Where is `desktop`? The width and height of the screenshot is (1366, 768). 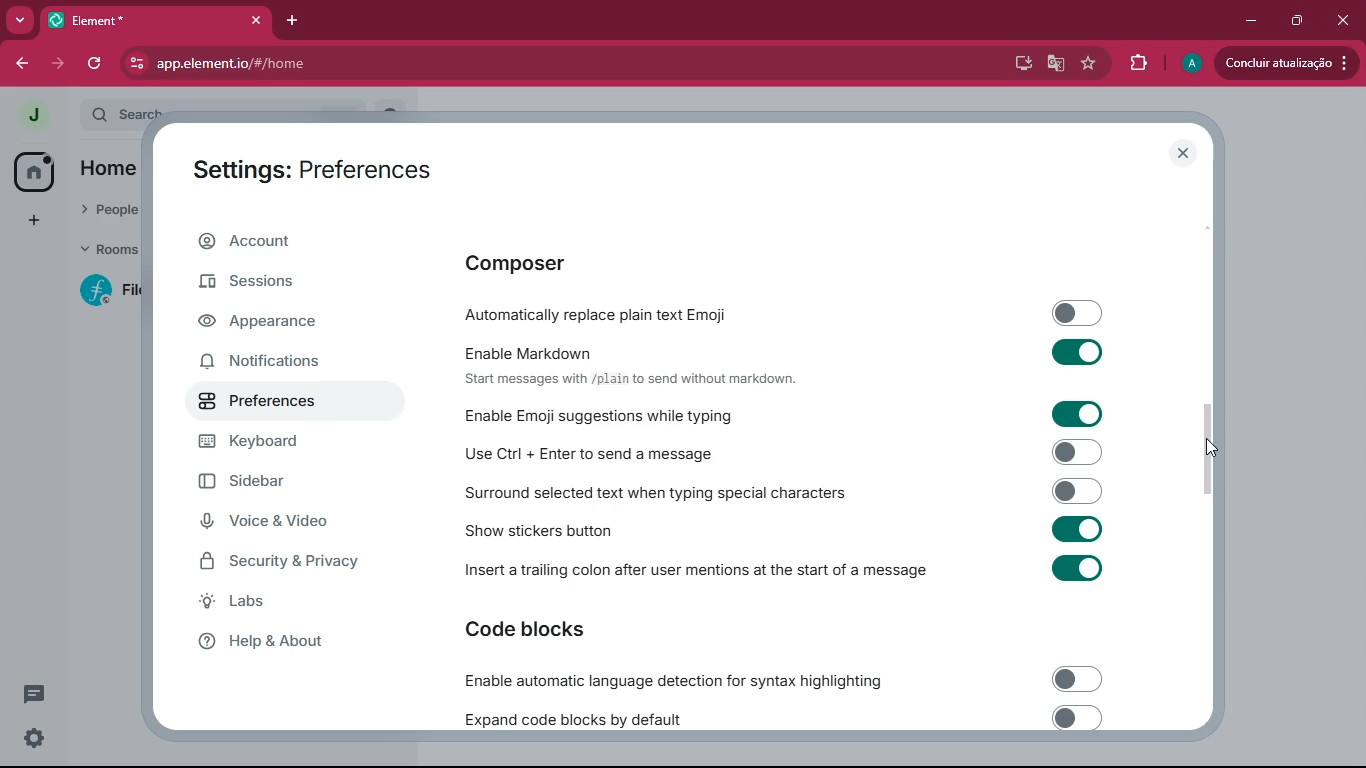
desktop is located at coordinates (1015, 62).